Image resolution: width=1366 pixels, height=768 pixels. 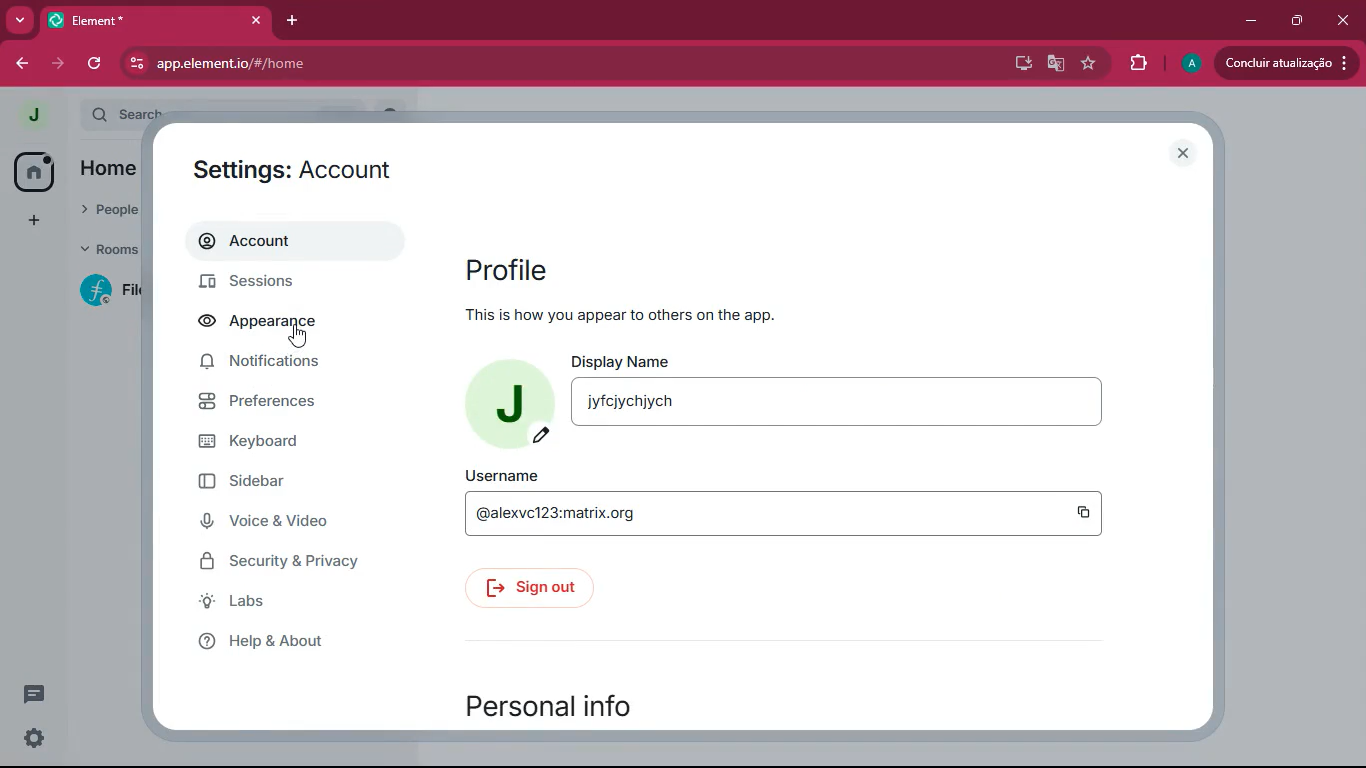 I want to click on add tab, so click(x=288, y=19).